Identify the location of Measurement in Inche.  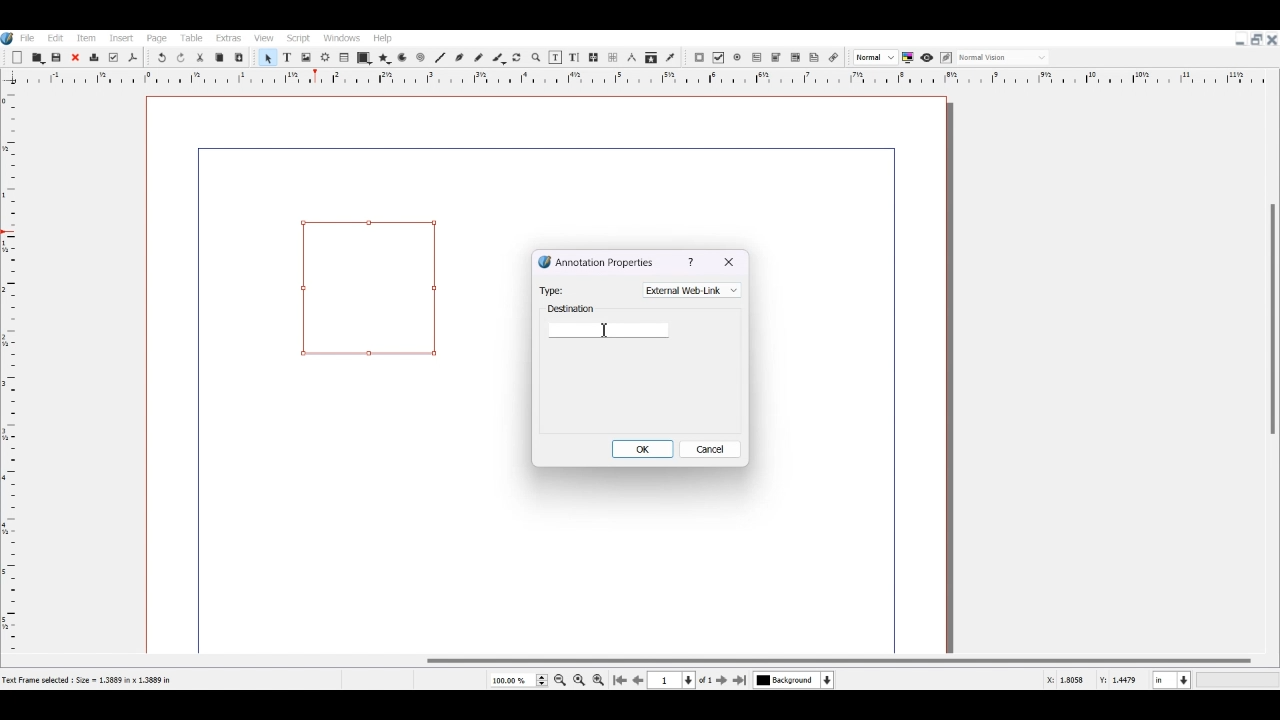
(1172, 680).